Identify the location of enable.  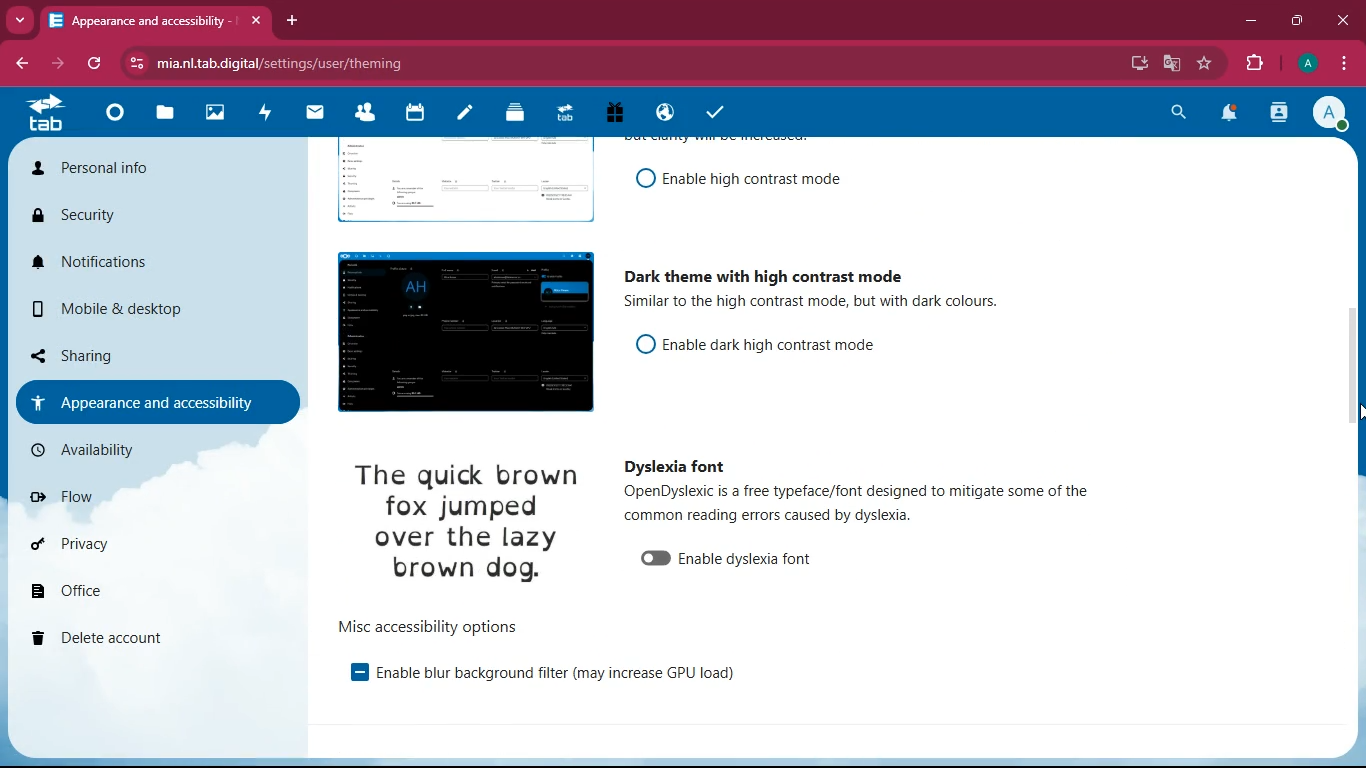
(555, 675).